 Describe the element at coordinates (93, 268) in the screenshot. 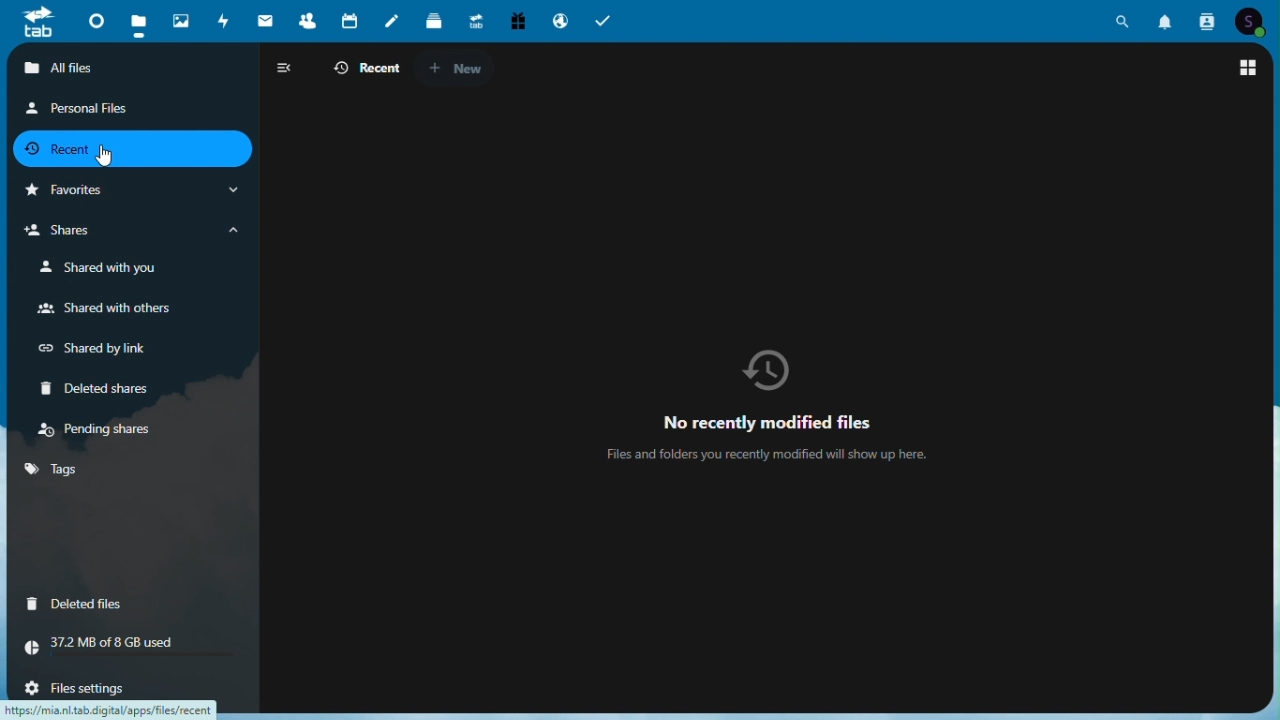

I see `Shared with you shares` at that location.